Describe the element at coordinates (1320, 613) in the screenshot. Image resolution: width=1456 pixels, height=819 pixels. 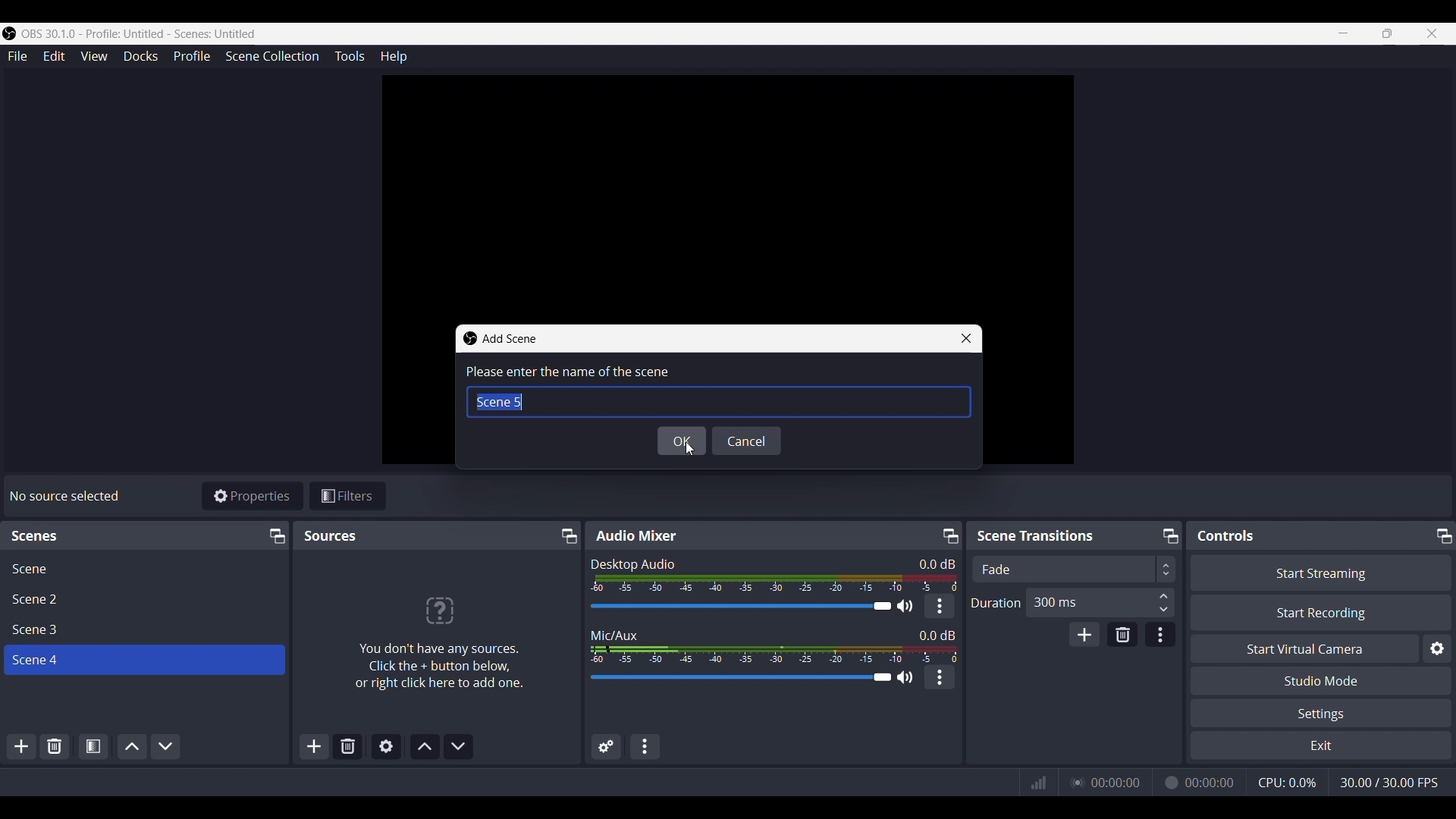
I see `Start Recording` at that location.